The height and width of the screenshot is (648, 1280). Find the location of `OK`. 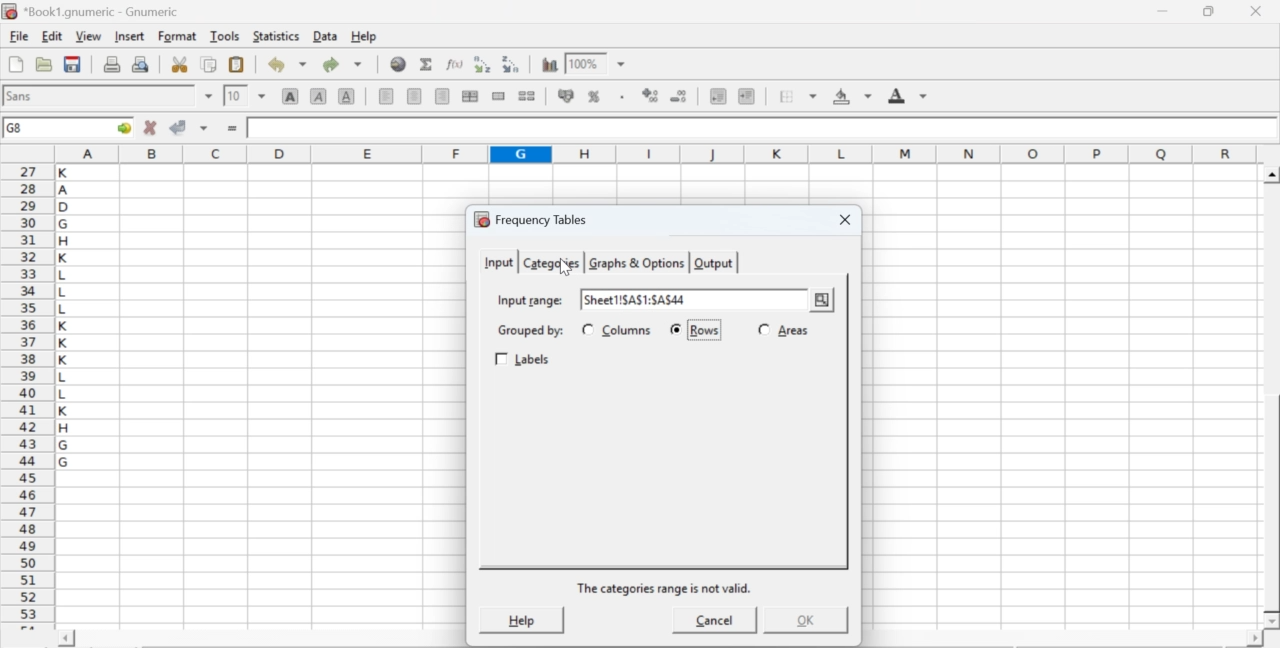

OK is located at coordinates (803, 620).